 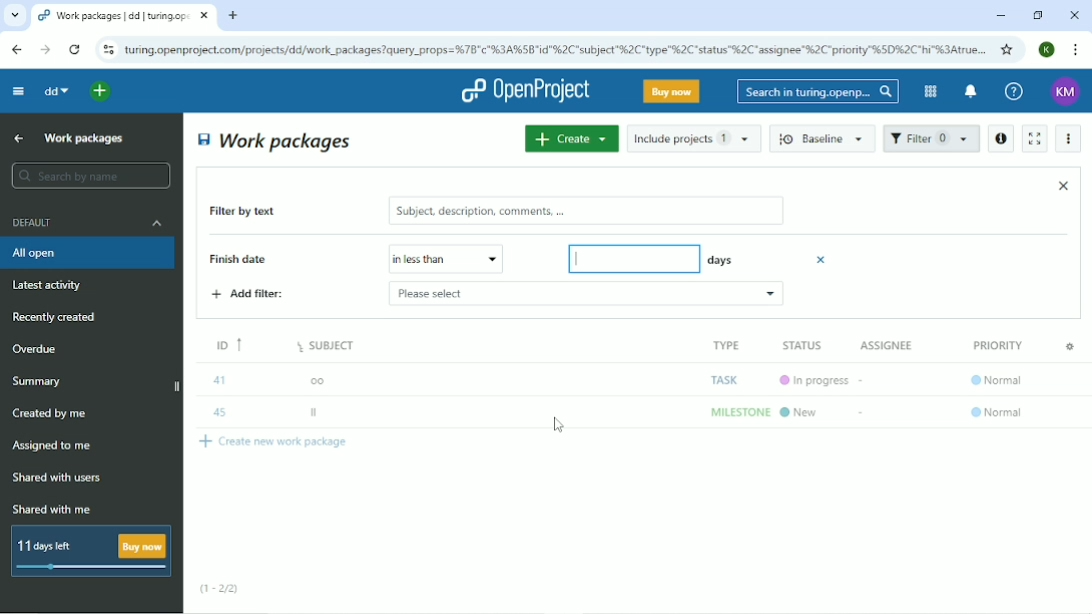 I want to click on Filter by text, so click(x=257, y=213).